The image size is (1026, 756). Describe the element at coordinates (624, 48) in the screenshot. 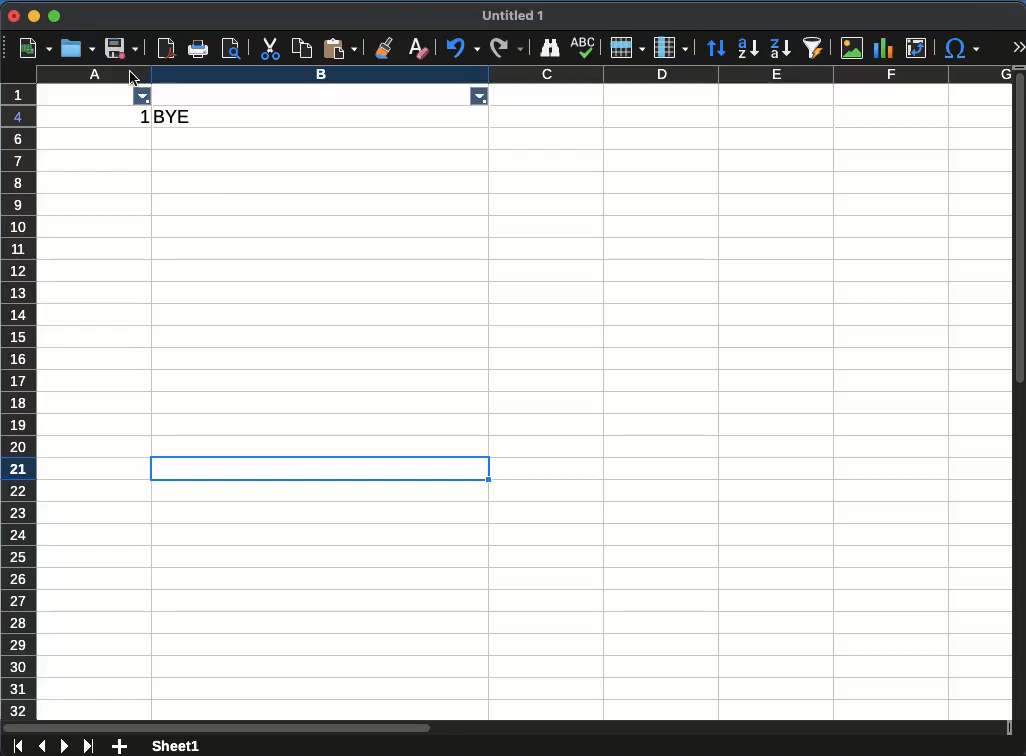

I see `row` at that location.